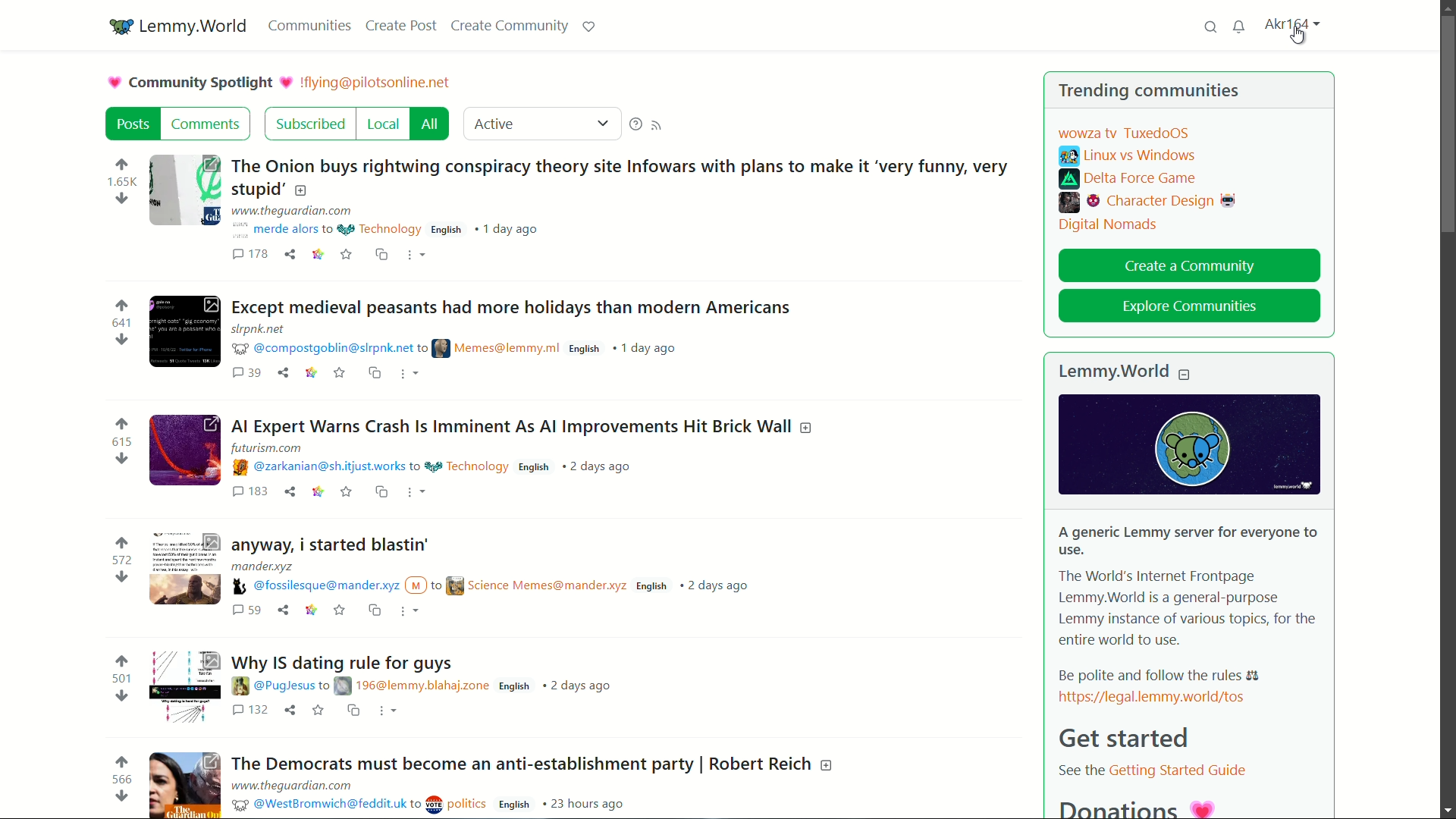  What do you see at coordinates (1120, 737) in the screenshot?
I see `get started` at bounding box center [1120, 737].